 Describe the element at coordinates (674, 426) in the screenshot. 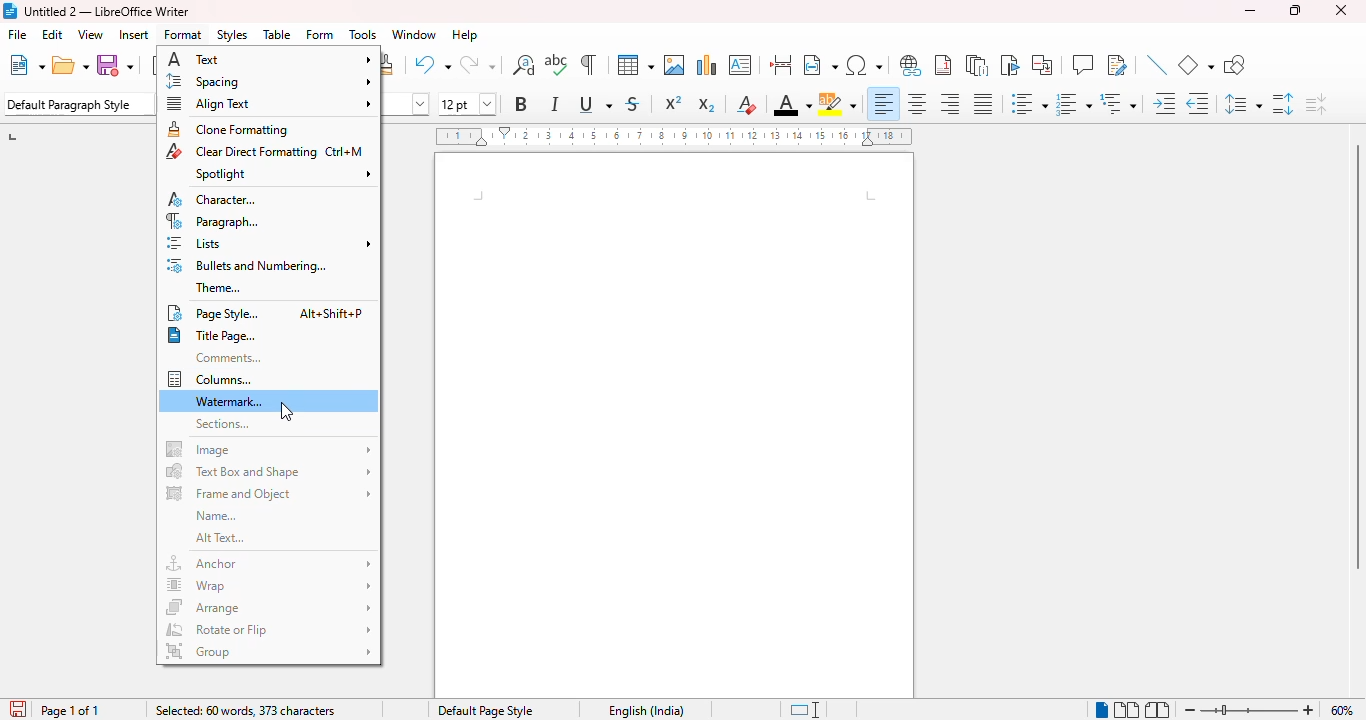

I see `page` at that location.